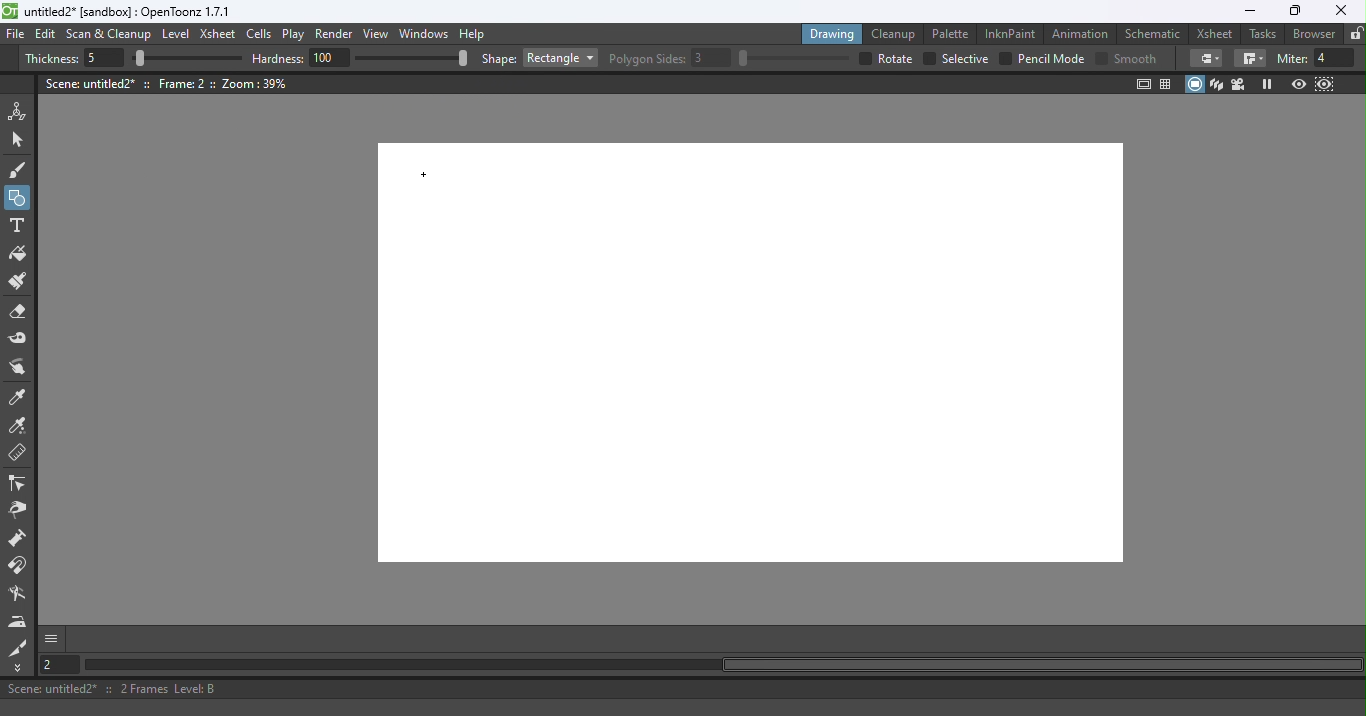  What do you see at coordinates (109, 36) in the screenshot?
I see `Scan & Cleanup` at bounding box center [109, 36].